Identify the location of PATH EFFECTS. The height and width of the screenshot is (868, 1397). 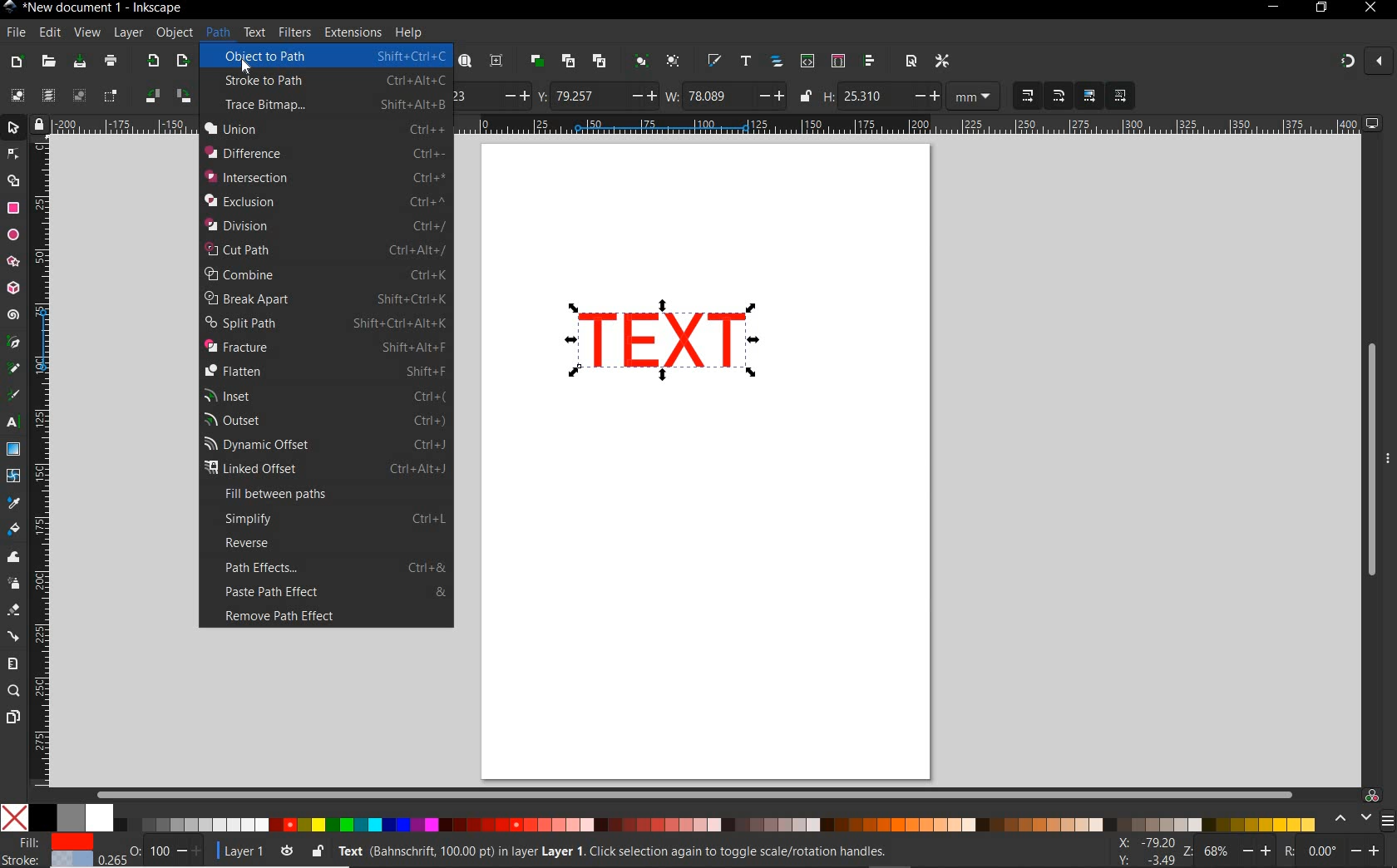
(334, 566).